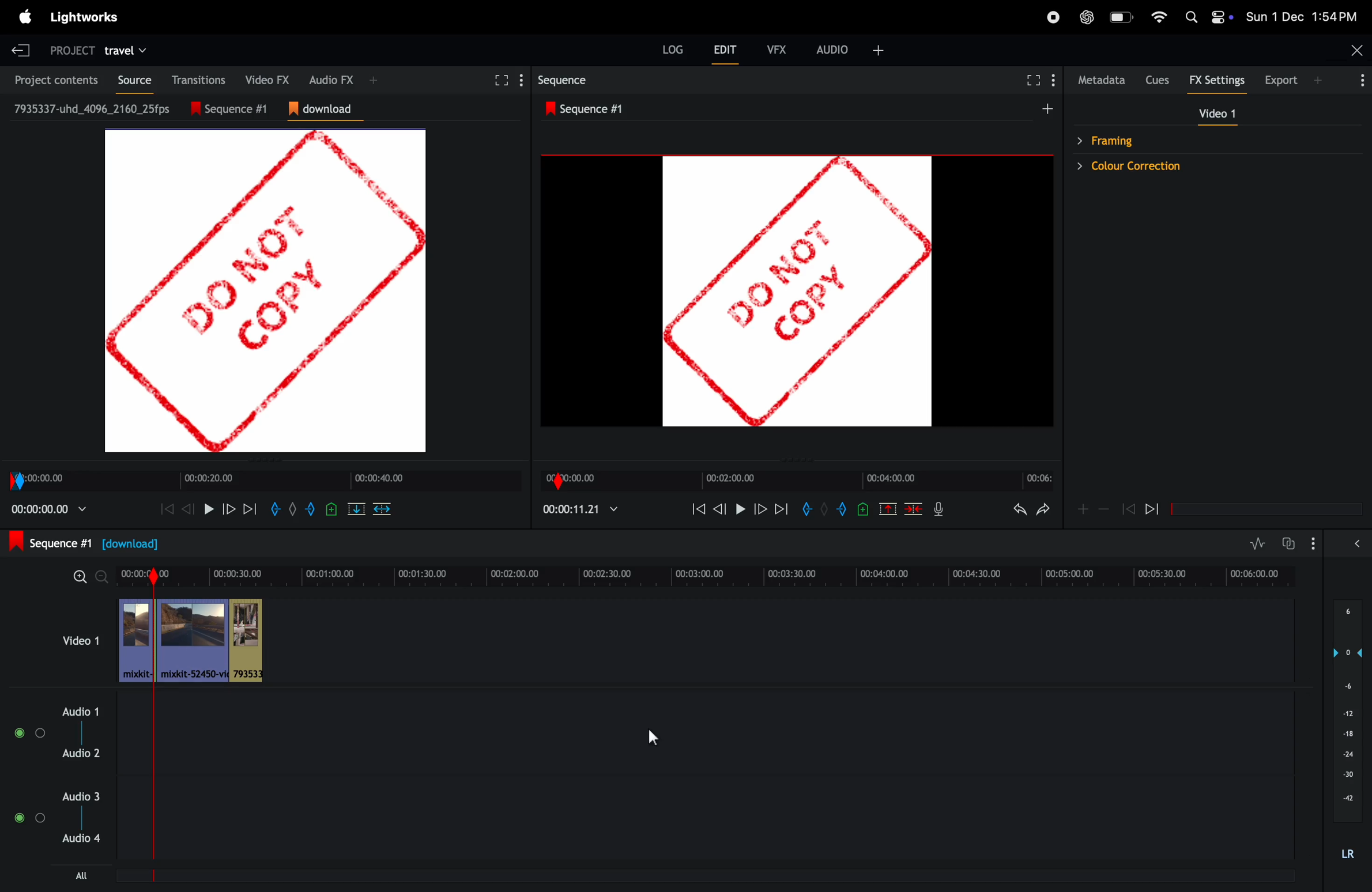 The width and height of the screenshot is (1372, 892). Describe the element at coordinates (81, 640) in the screenshot. I see `video 1` at that location.